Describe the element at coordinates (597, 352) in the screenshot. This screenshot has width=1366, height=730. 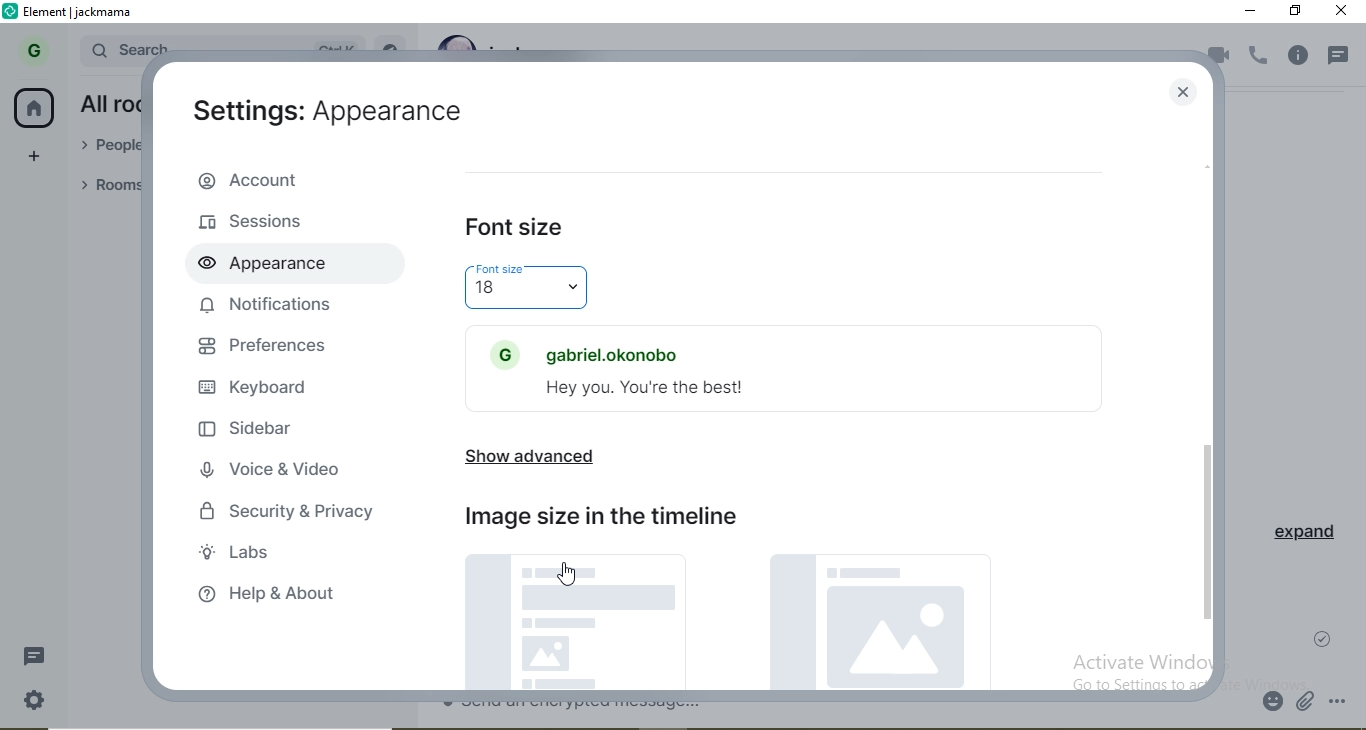
I see `gabriel.okonobo` at that location.